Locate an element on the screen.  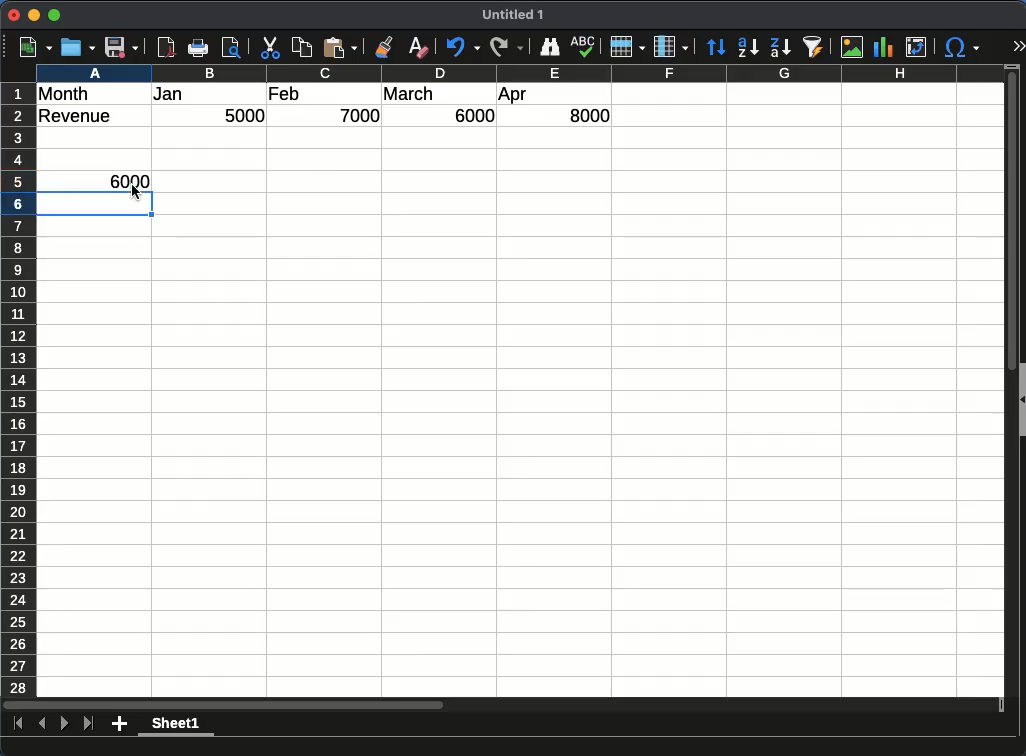
sheet1 is located at coordinates (176, 725).